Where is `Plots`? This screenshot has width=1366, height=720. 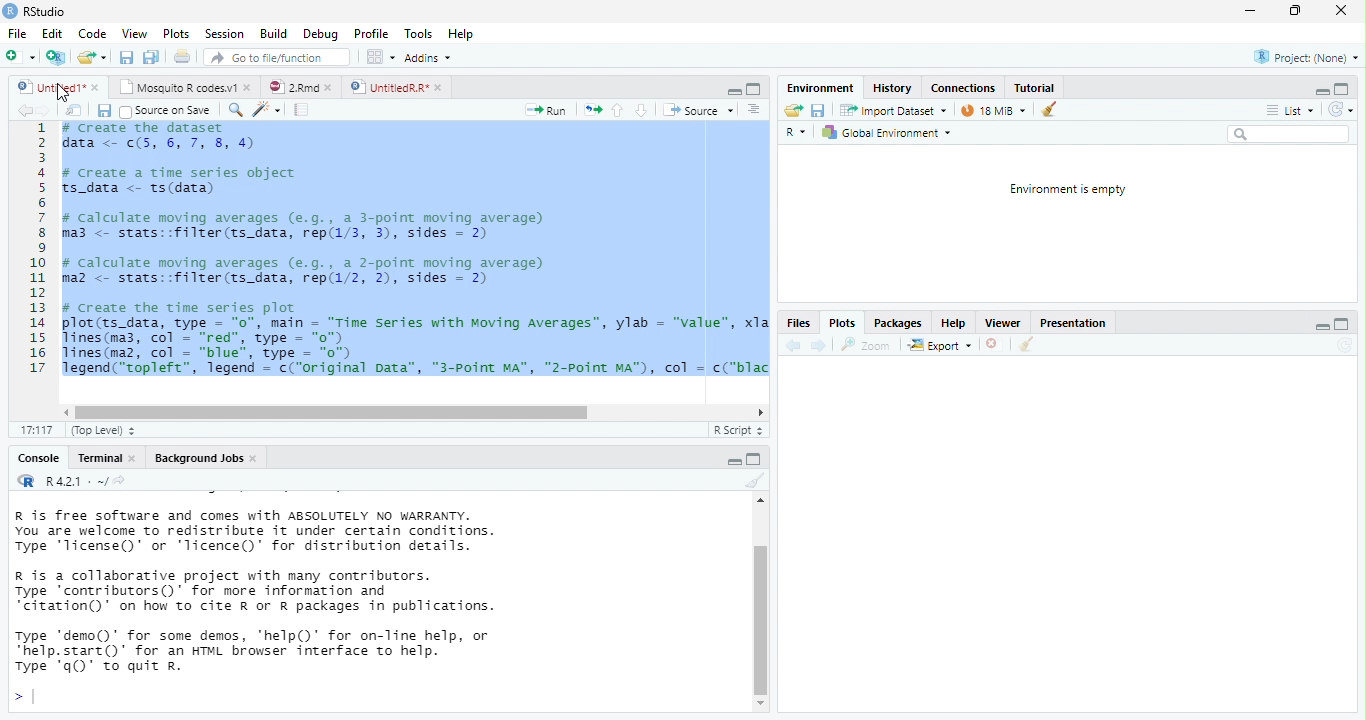 Plots is located at coordinates (177, 34).